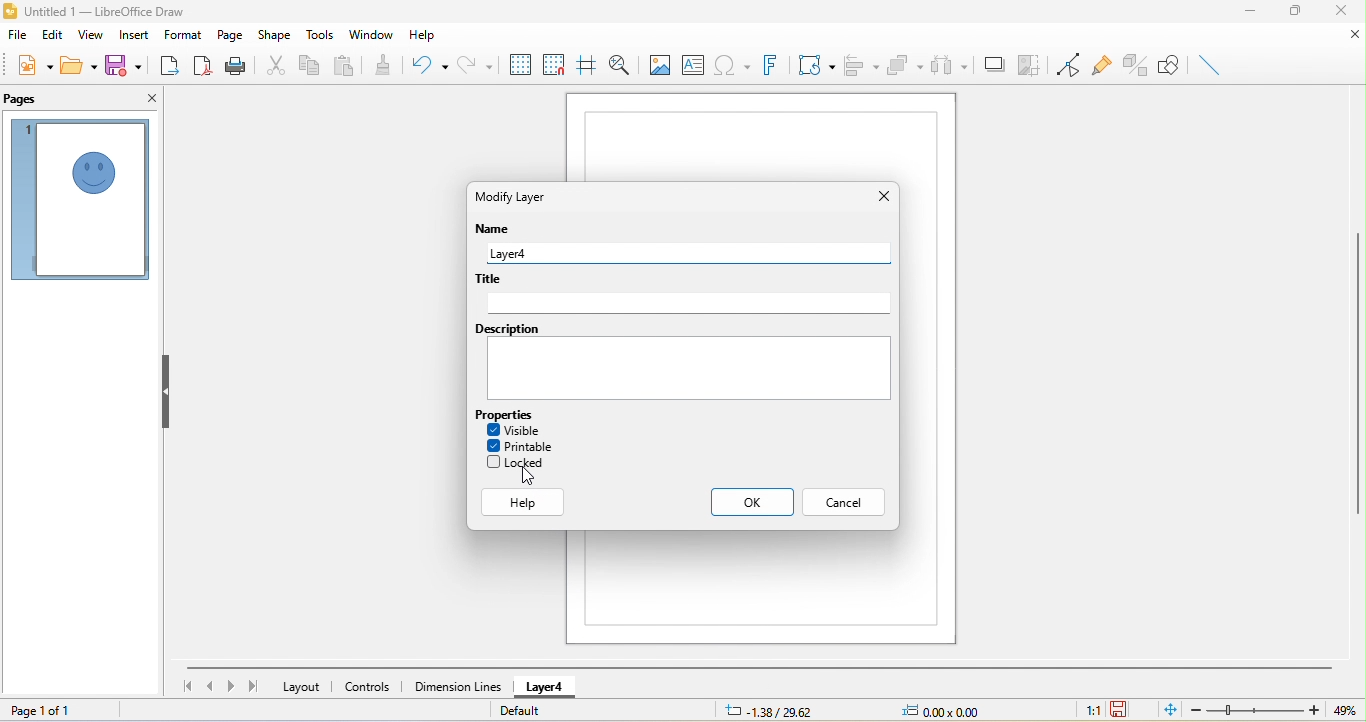 The width and height of the screenshot is (1366, 722). What do you see at coordinates (521, 428) in the screenshot?
I see `visible` at bounding box center [521, 428].